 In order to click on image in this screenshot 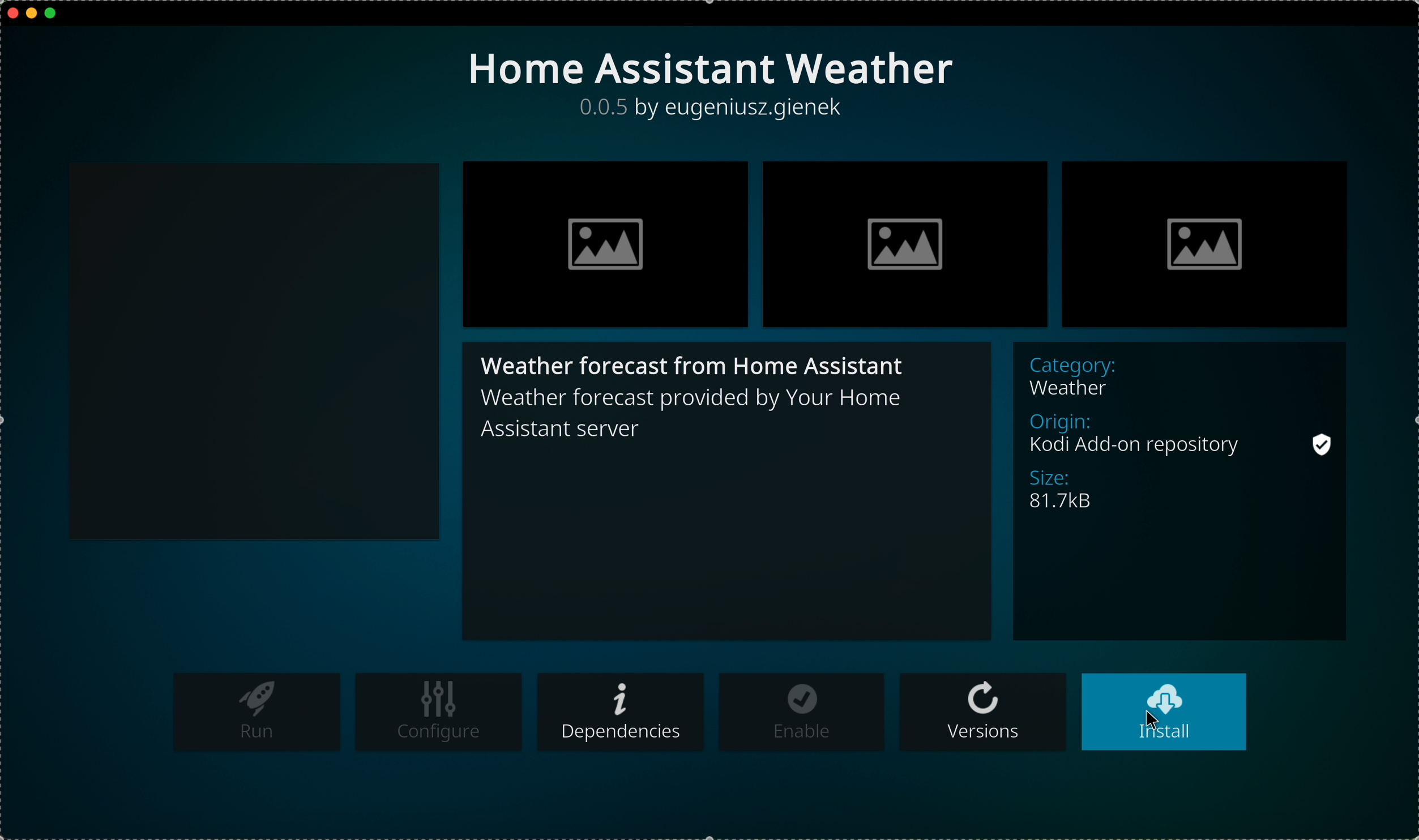, I will do `click(905, 246)`.